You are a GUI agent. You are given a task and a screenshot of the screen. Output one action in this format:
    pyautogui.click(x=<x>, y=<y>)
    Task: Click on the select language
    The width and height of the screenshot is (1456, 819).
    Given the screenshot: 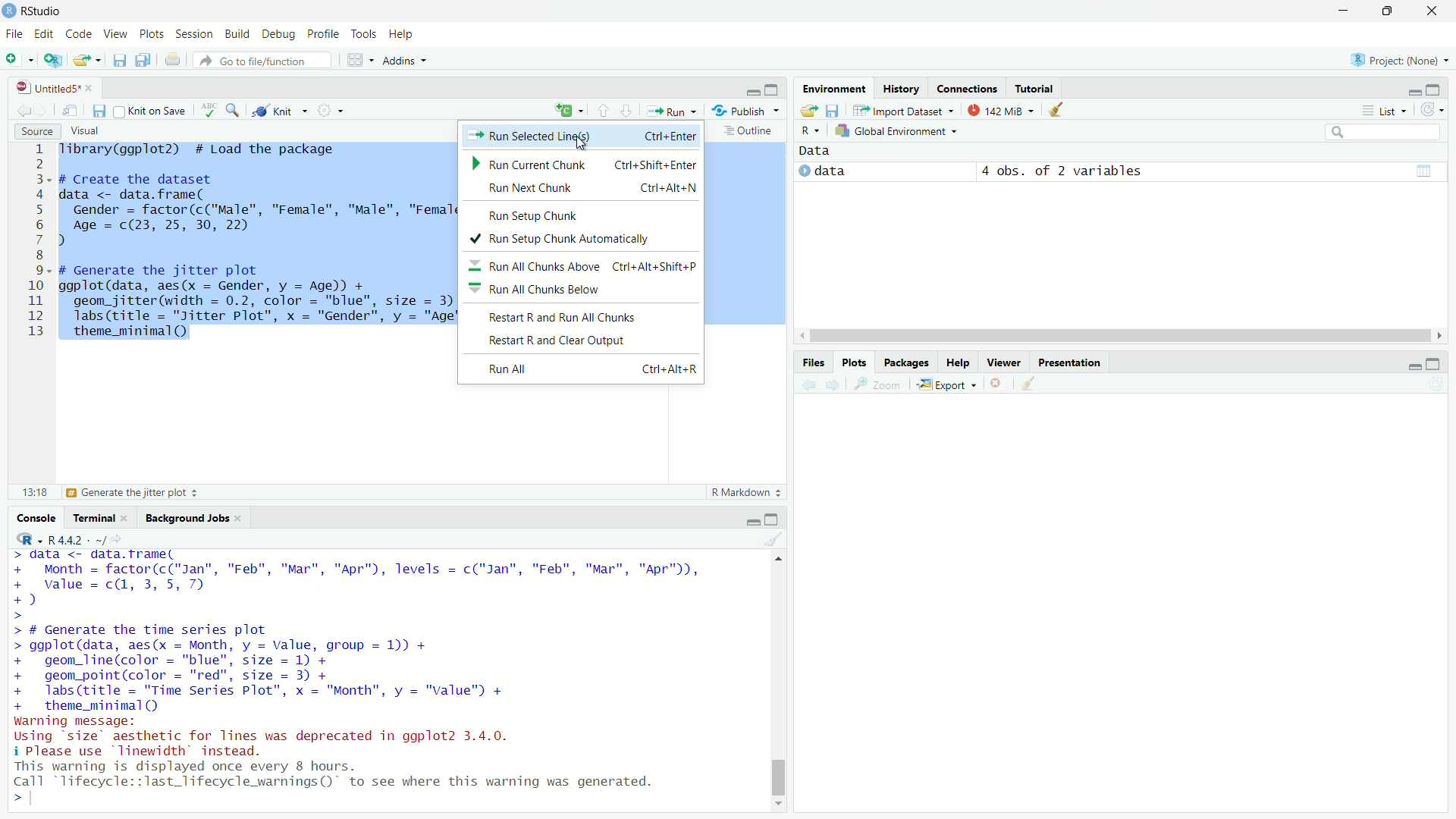 What is the action you would take?
    pyautogui.click(x=808, y=132)
    